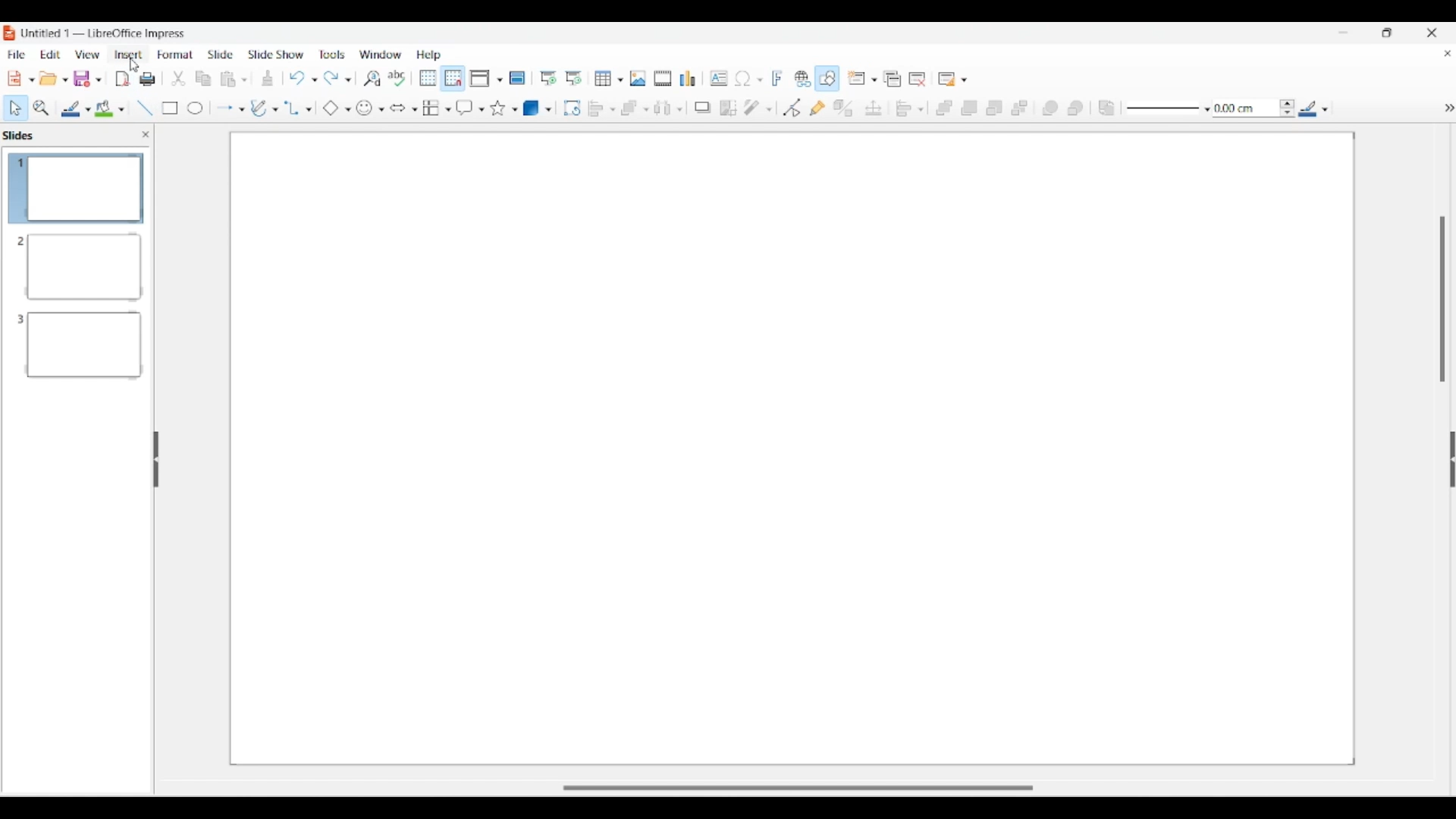  Describe the element at coordinates (337, 77) in the screenshot. I see `Redo options` at that location.